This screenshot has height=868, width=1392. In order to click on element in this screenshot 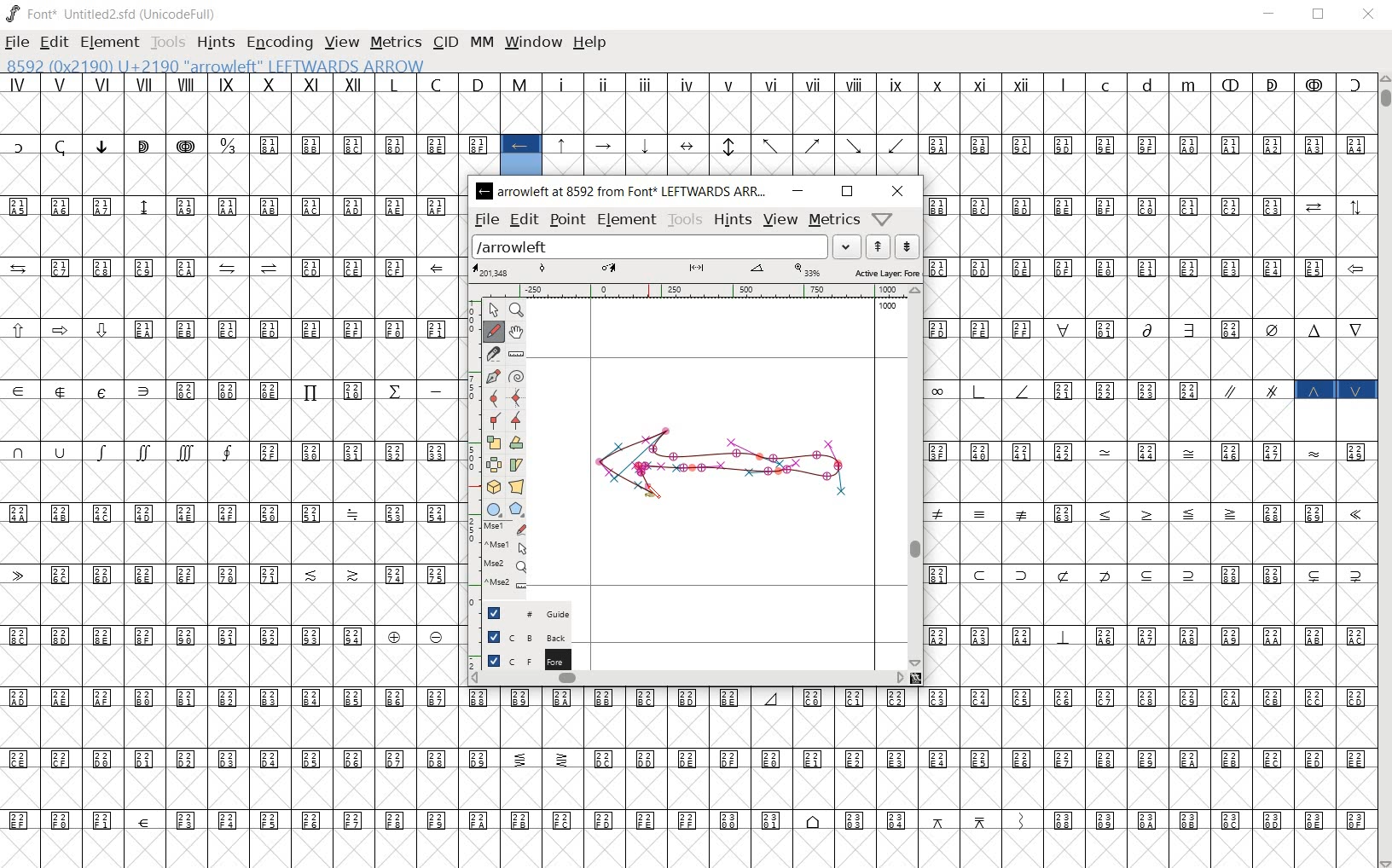, I will do `click(627, 219)`.